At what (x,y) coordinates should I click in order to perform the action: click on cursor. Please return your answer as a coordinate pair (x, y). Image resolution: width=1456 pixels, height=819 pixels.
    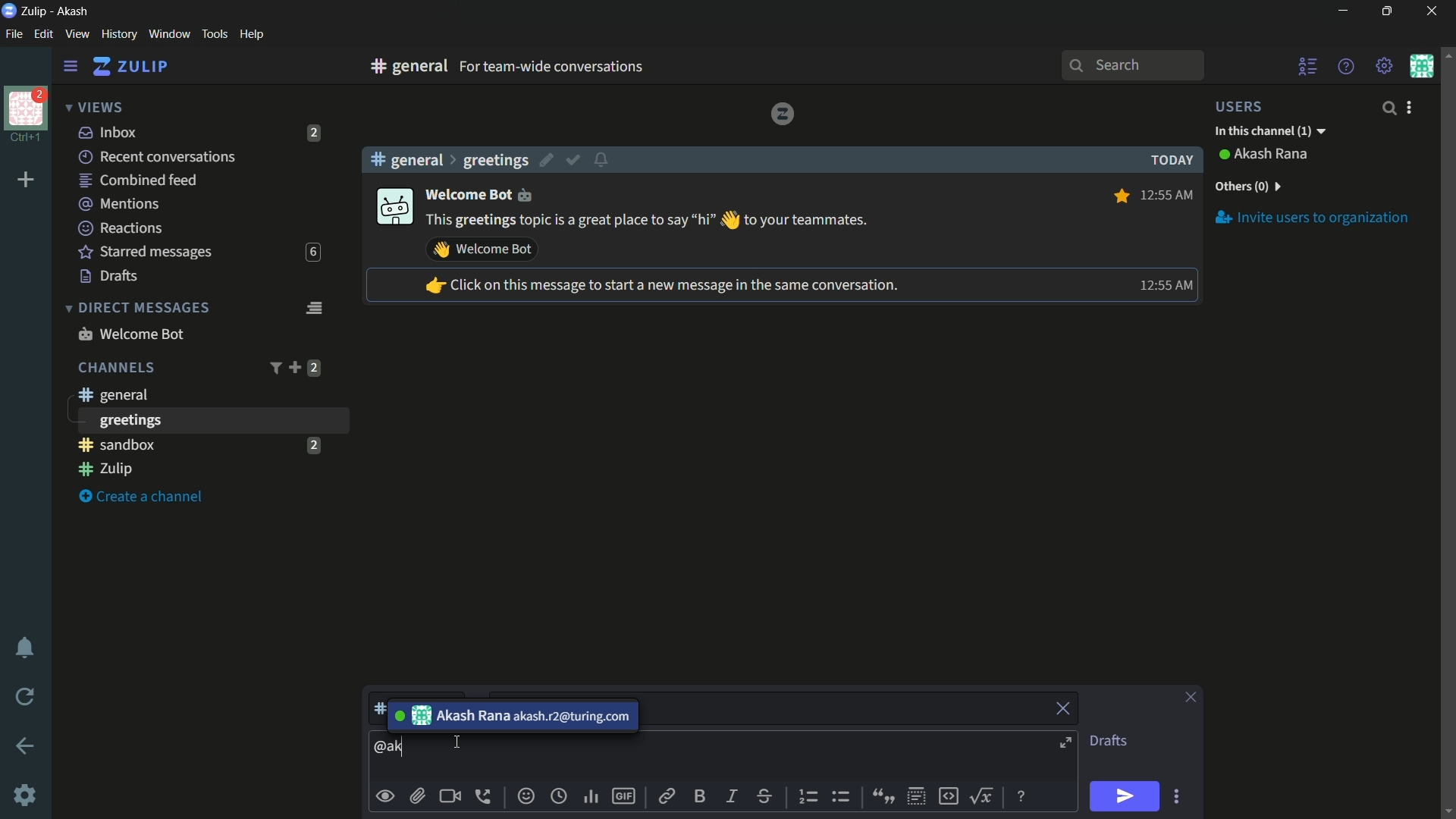
    Looking at the image, I should click on (454, 743).